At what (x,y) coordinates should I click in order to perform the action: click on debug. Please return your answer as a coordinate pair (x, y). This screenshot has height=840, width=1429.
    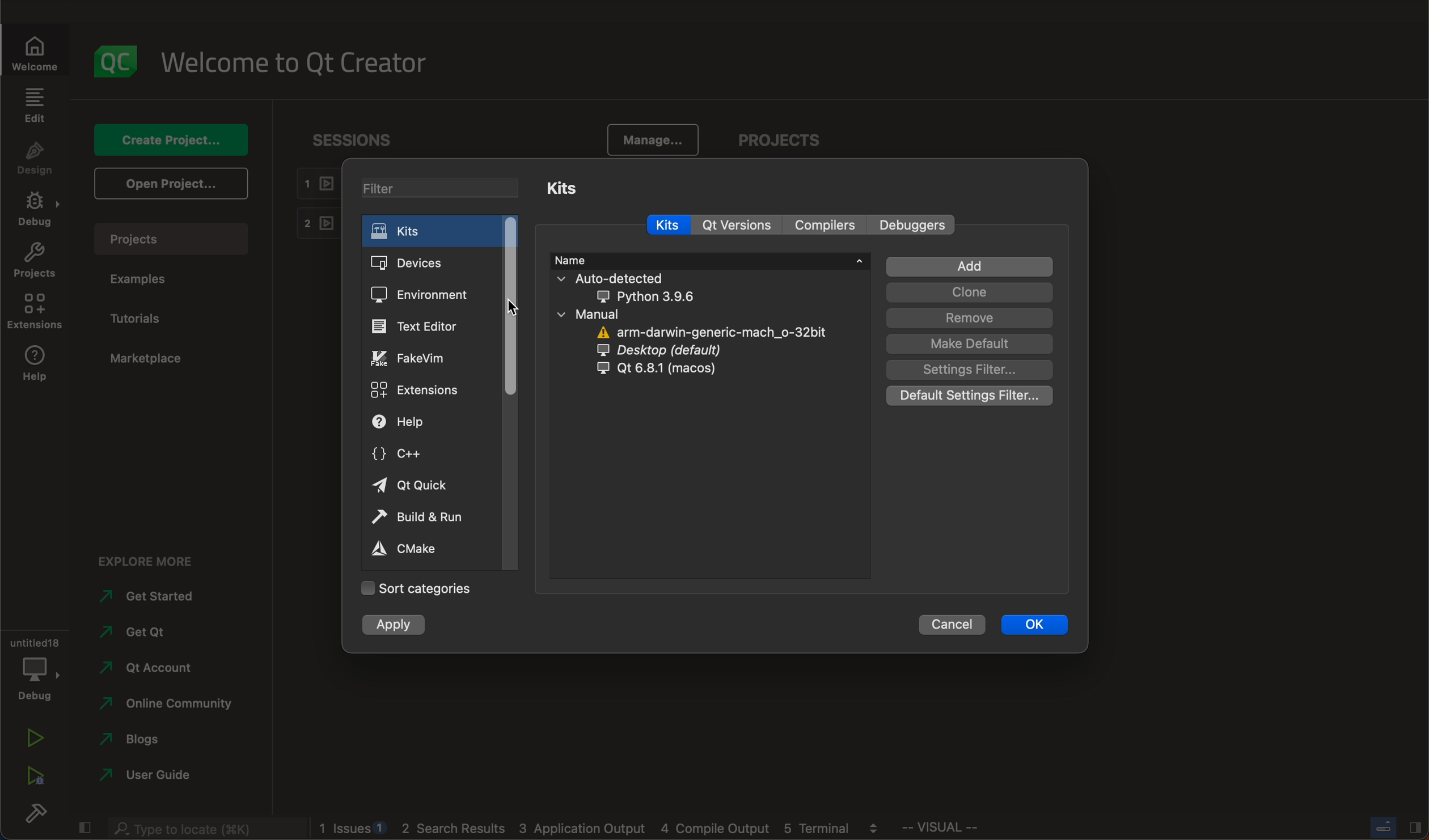
    Looking at the image, I should click on (35, 669).